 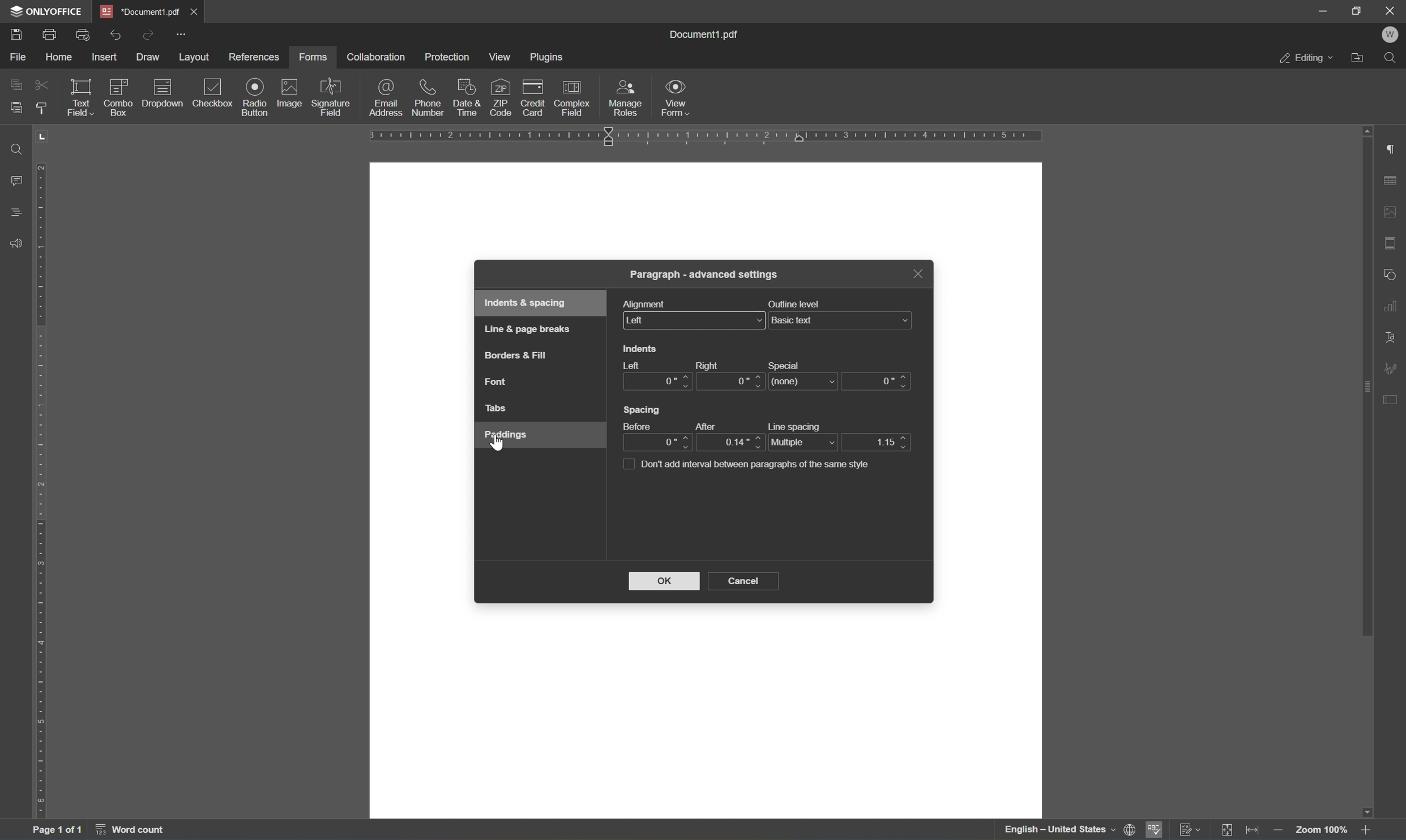 What do you see at coordinates (644, 409) in the screenshot?
I see `spacing` at bounding box center [644, 409].